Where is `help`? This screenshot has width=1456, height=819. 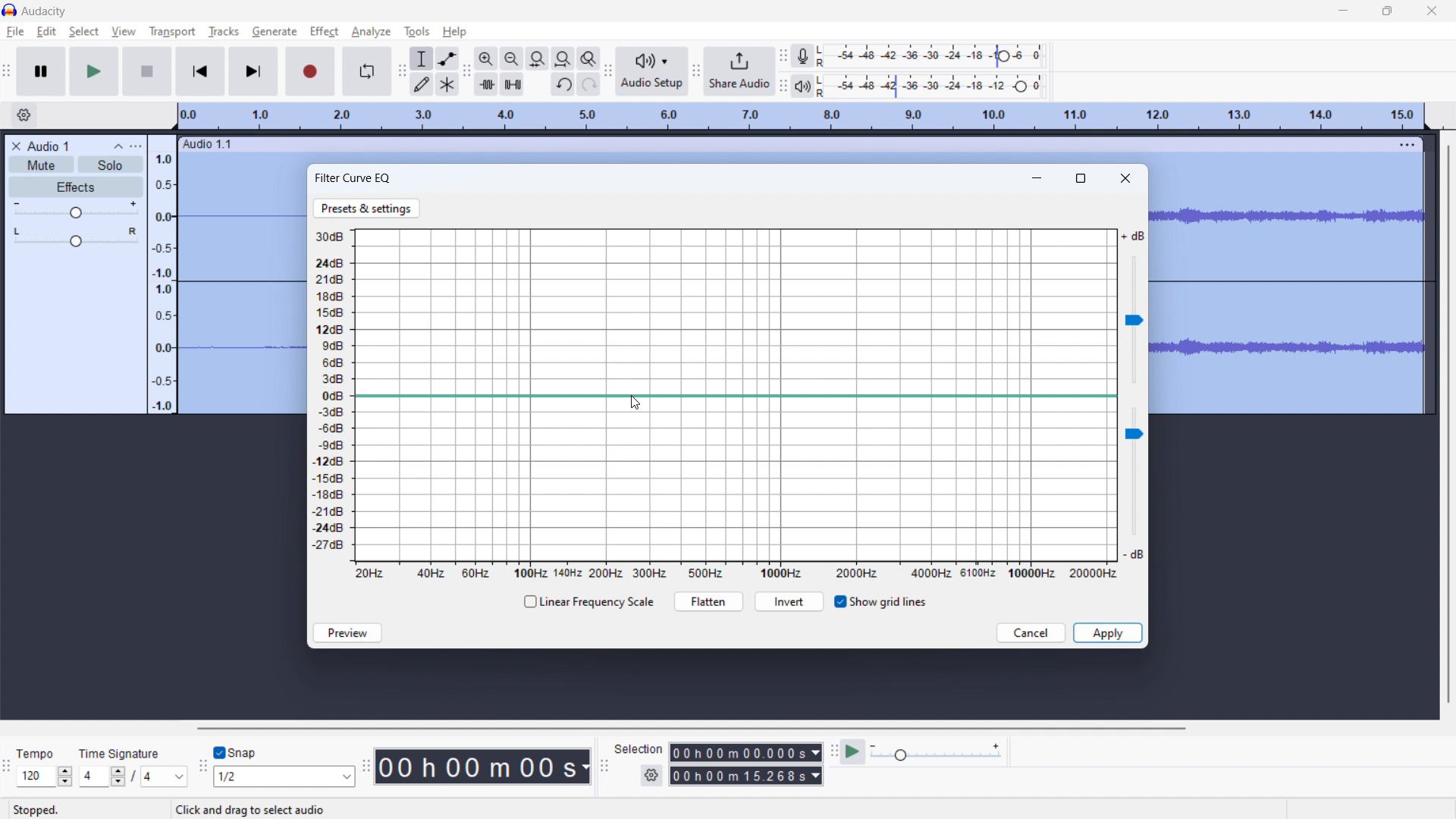 help is located at coordinates (456, 32).